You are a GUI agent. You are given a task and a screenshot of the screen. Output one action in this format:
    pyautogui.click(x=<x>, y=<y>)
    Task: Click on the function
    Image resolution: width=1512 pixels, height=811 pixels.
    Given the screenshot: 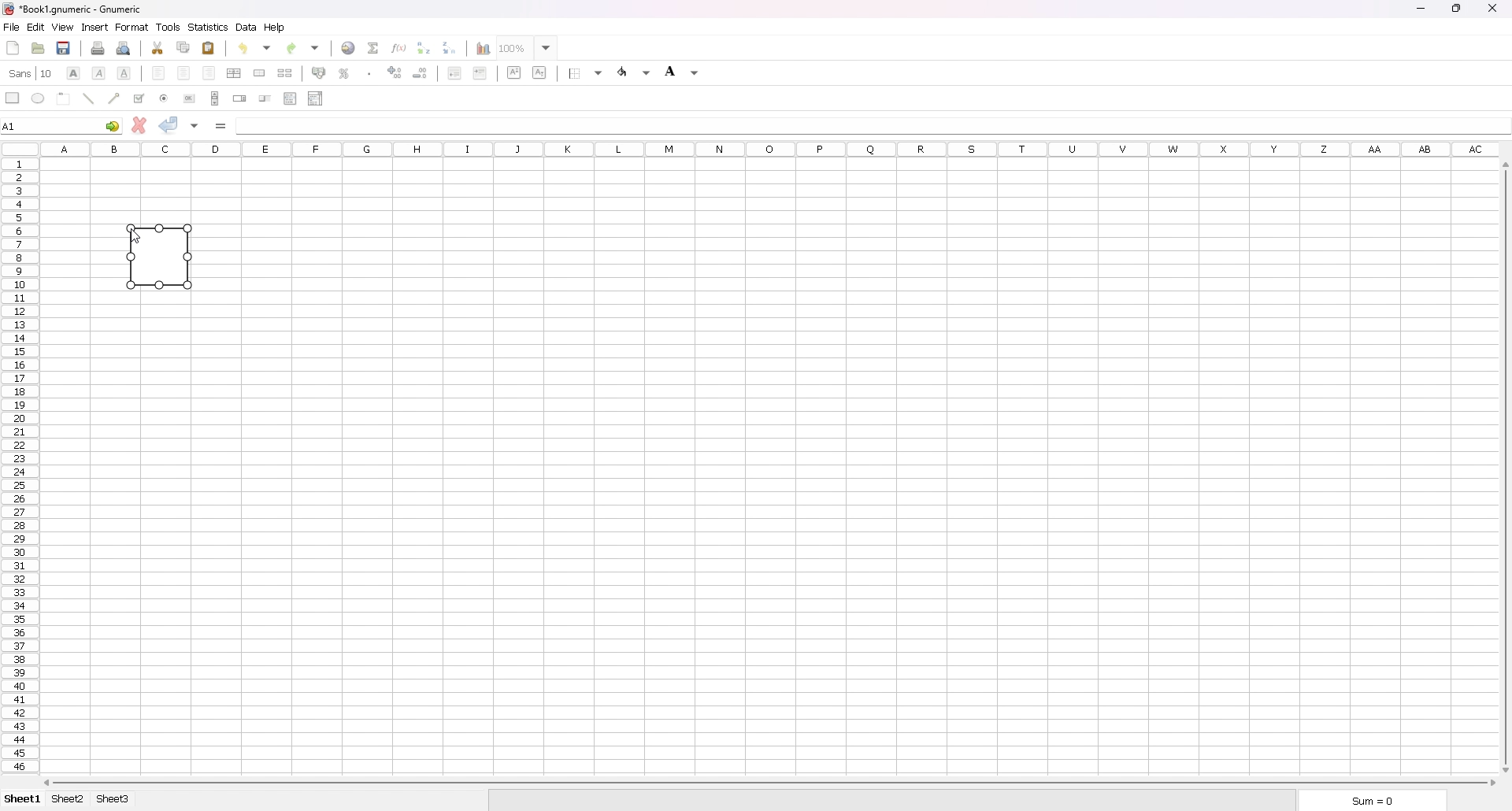 What is the action you would take?
    pyautogui.click(x=399, y=48)
    